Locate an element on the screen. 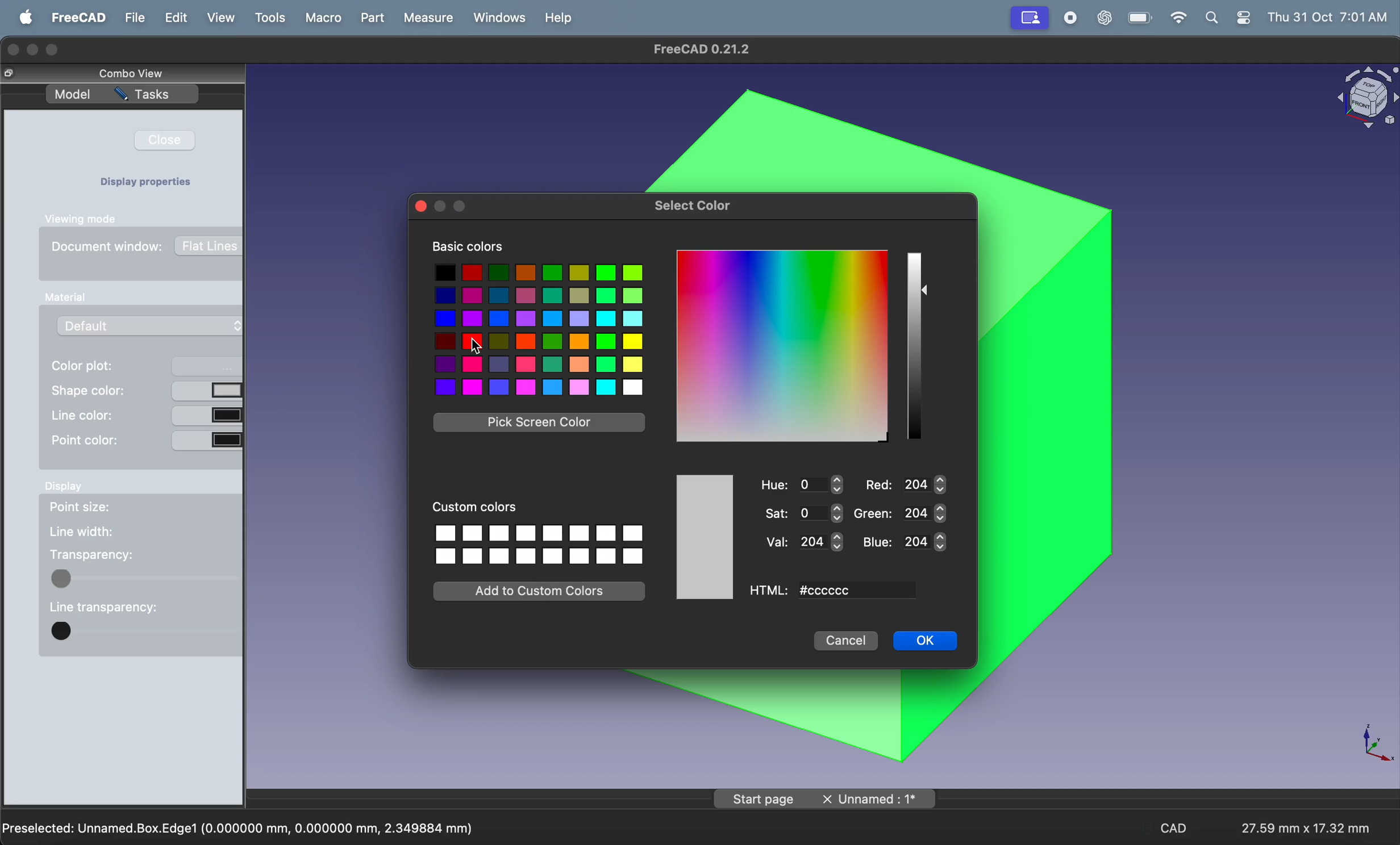 This screenshot has height=845, width=1400. apple widgets is located at coordinates (1229, 18).